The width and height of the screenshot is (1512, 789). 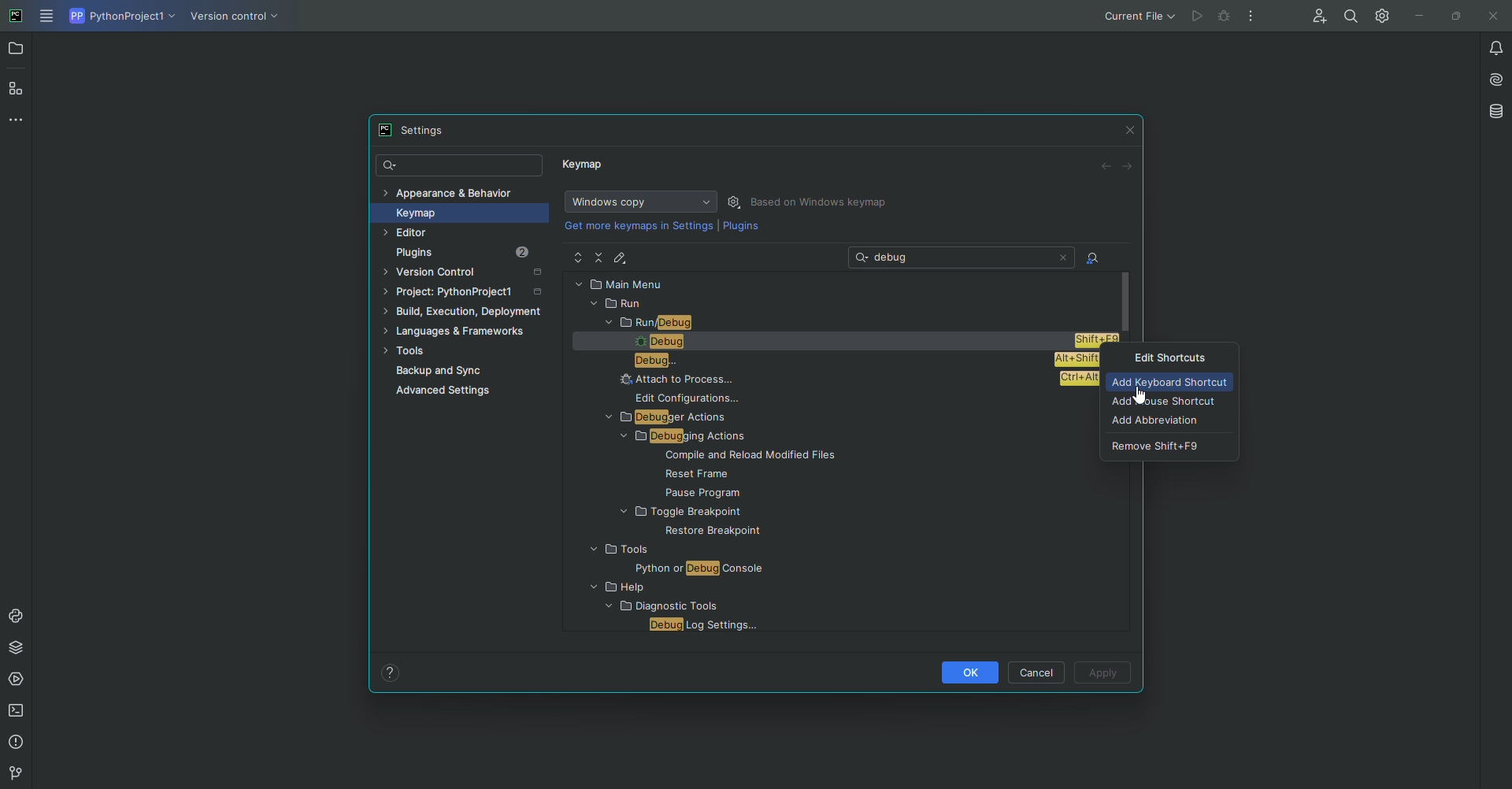 What do you see at coordinates (471, 371) in the screenshot?
I see `Backup and Sync` at bounding box center [471, 371].